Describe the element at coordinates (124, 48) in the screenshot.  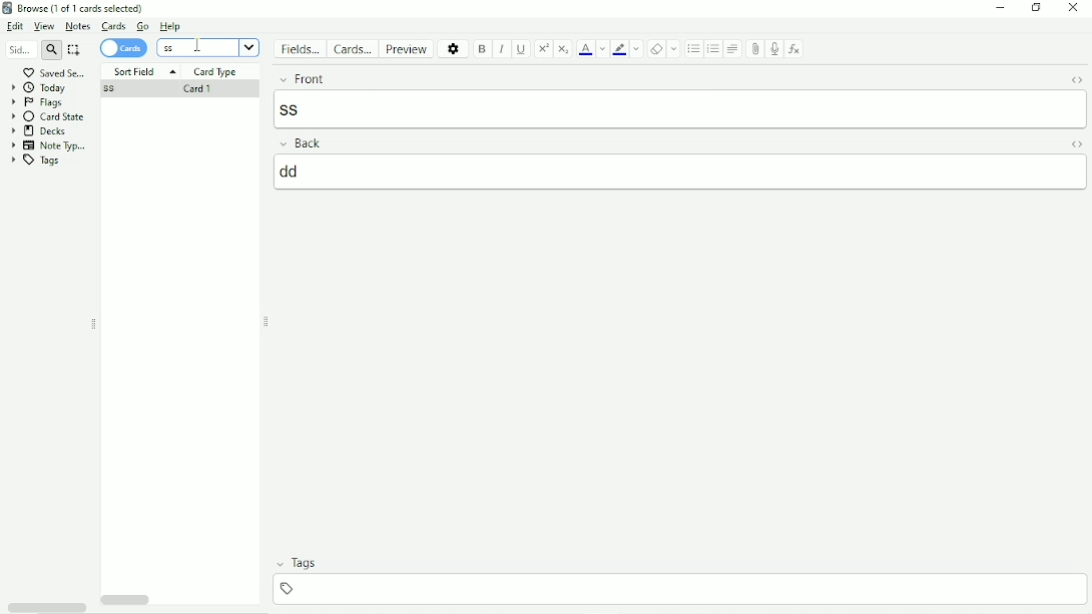
I see `Cards` at that location.